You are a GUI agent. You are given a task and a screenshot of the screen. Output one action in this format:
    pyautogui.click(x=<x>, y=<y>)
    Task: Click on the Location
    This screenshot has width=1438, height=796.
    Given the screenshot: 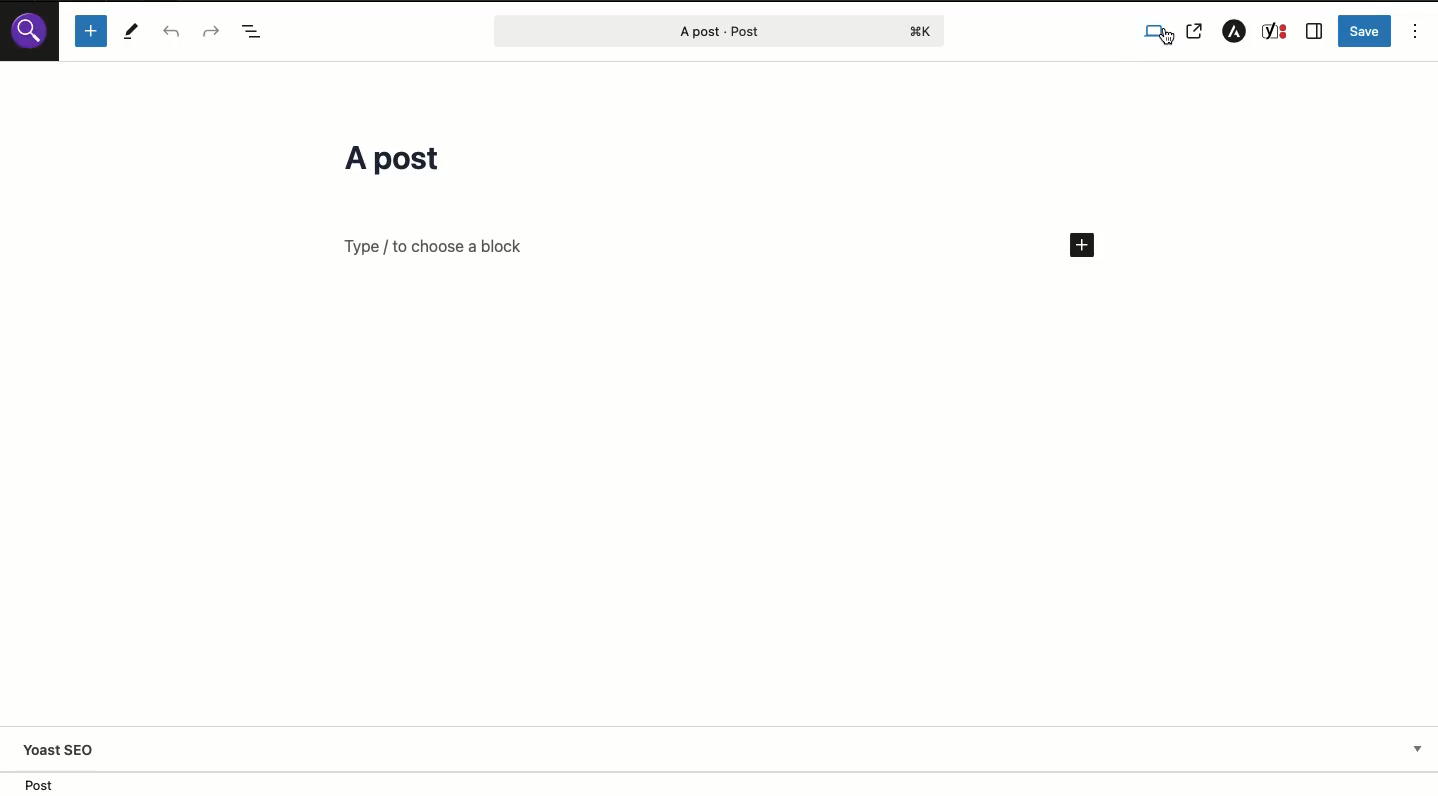 What is the action you would take?
    pyautogui.click(x=719, y=783)
    